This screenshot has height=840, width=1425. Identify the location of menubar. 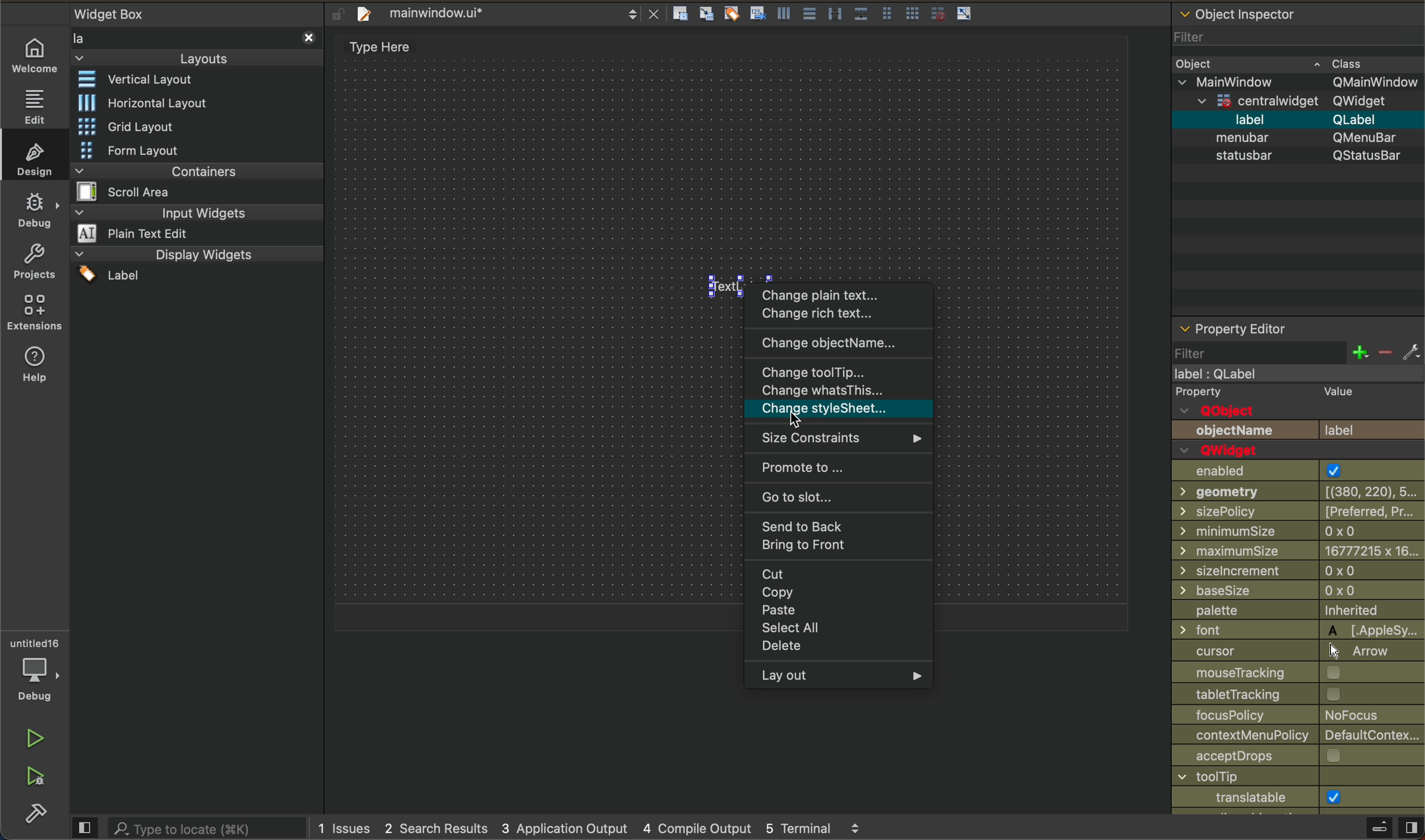
(1302, 138).